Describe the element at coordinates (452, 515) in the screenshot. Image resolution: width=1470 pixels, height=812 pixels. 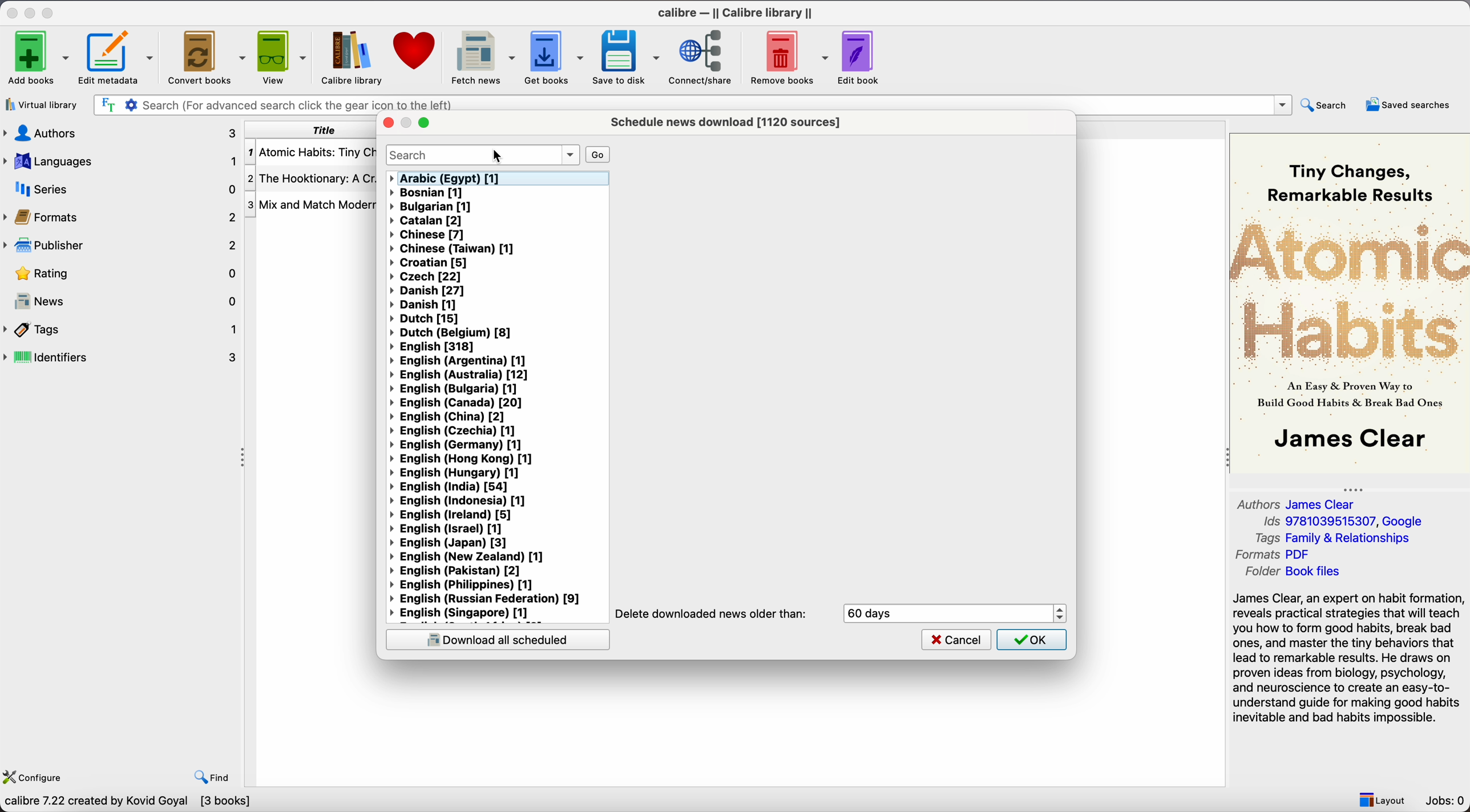
I see `English (Ireland) [5]` at that location.